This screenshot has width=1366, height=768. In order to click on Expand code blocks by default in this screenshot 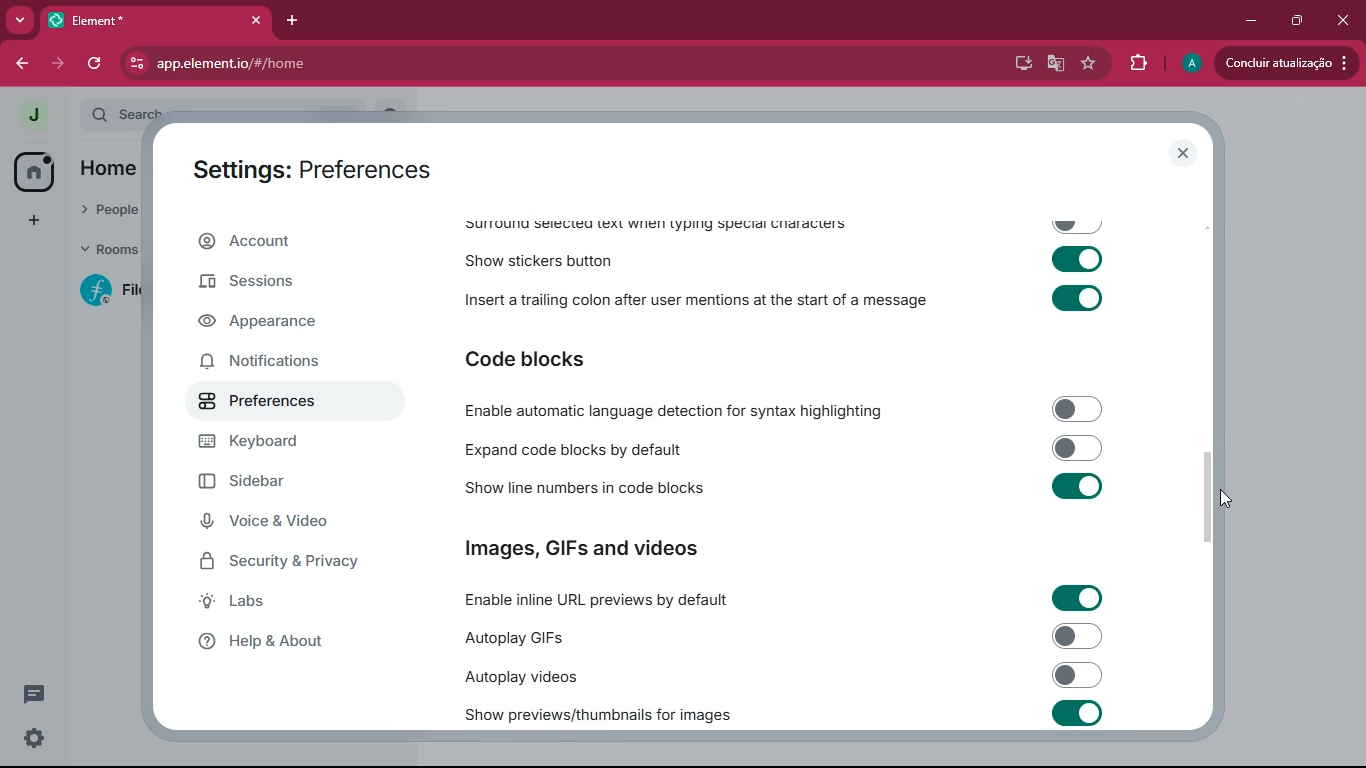, I will do `click(780, 448)`.